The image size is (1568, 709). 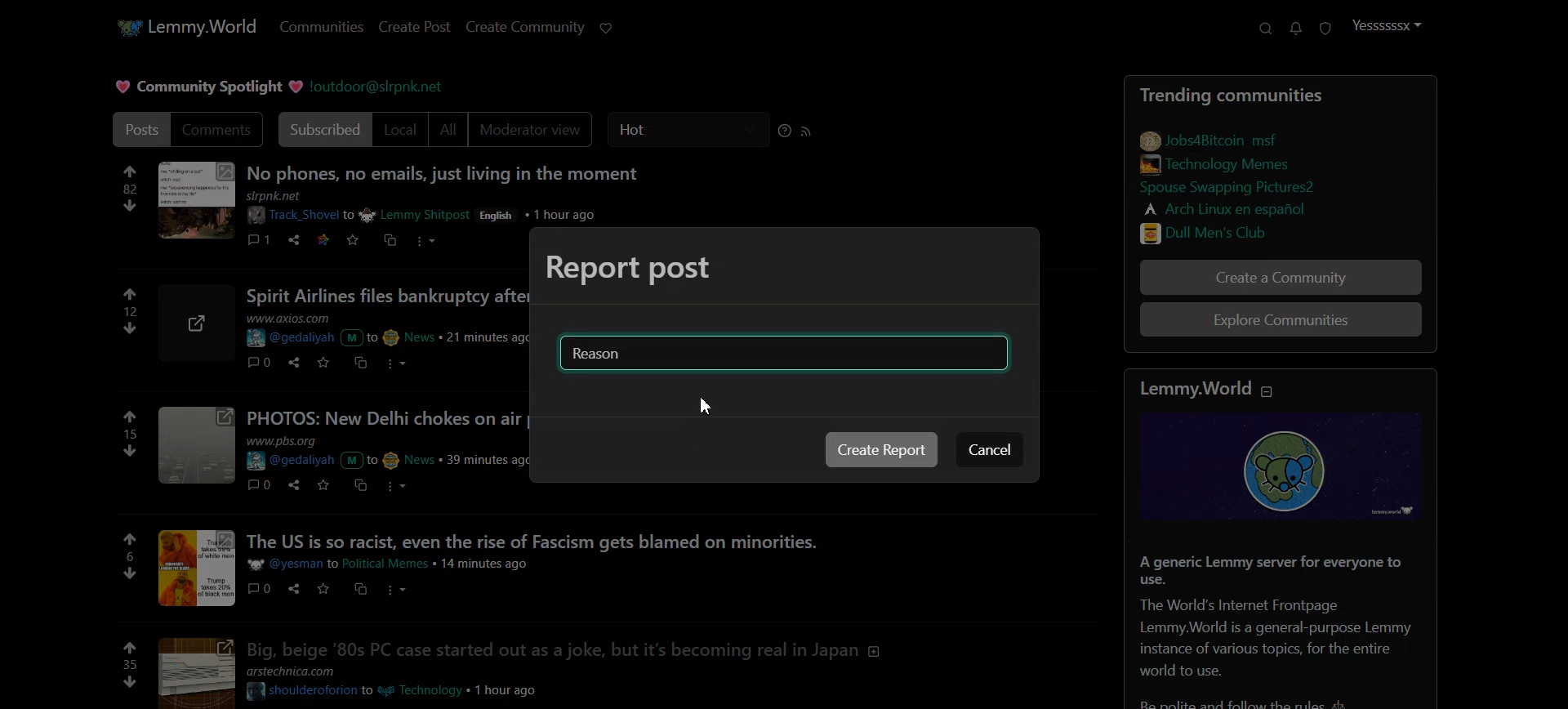 What do you see at coordinates (193, 672) in the screenshot?
I see `image` at bounding box center [193, 672].